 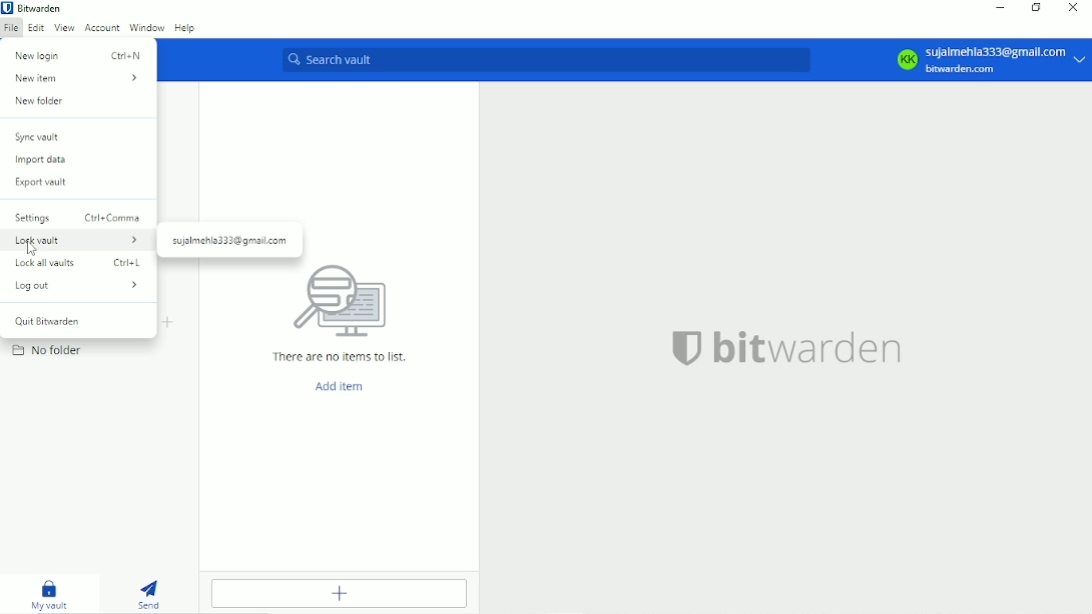 What do you see at coordinates (80, 54) in the screenshot?
I see `New login   ctrl+N` at bounding box center [80, 54].